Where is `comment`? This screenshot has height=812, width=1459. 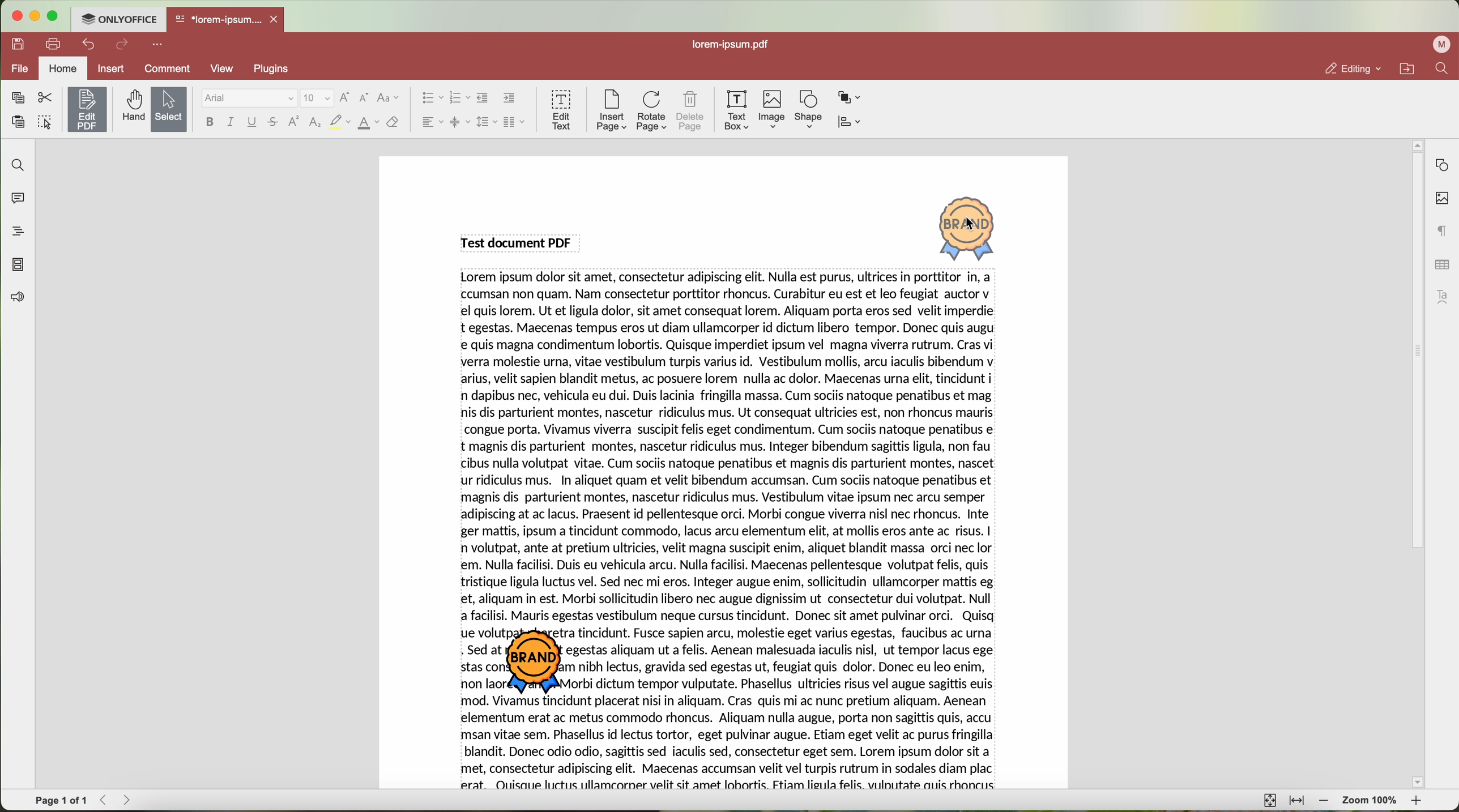
comment is located at coordinates (169, 70).